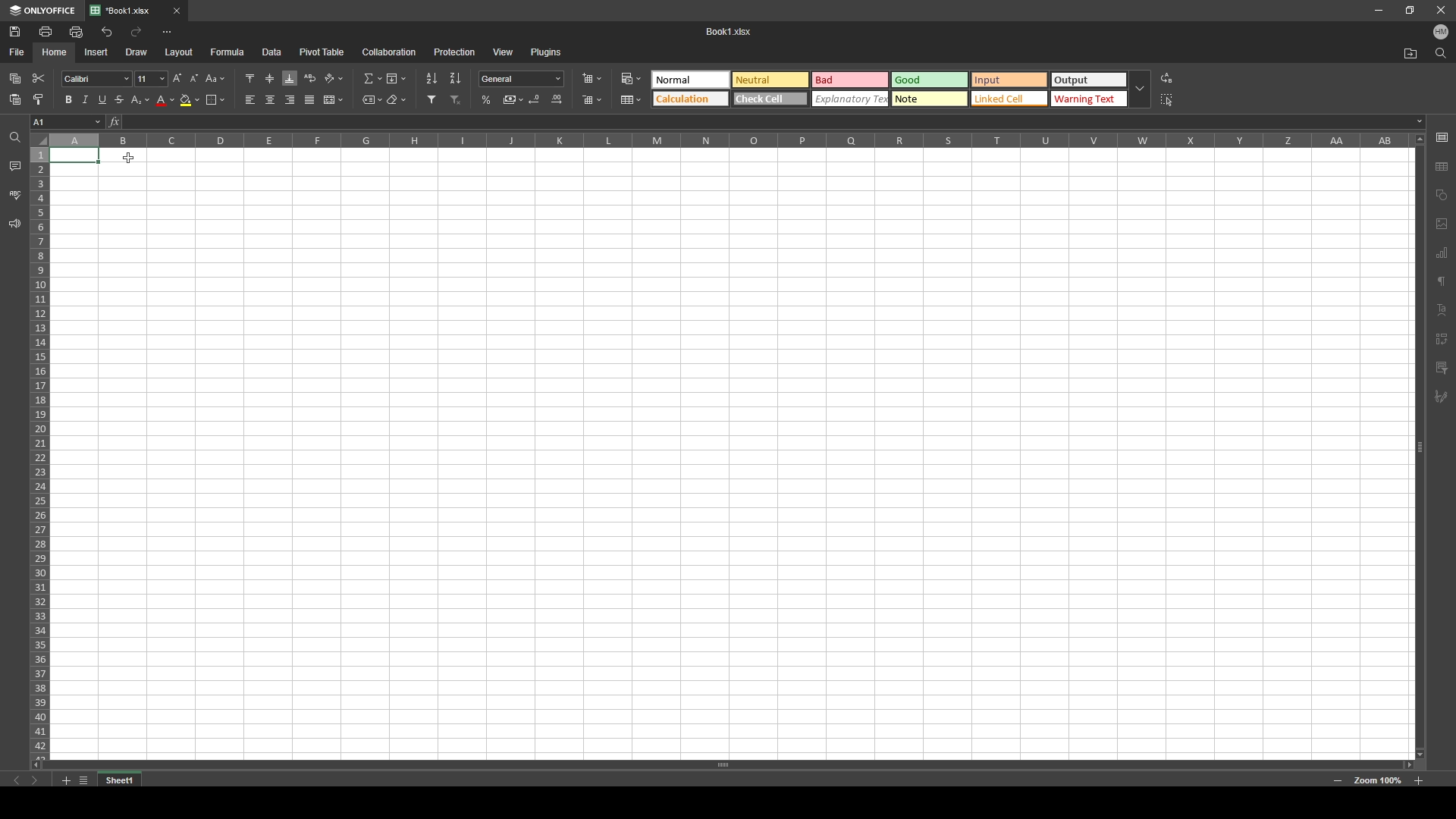 The image size is (1456, 819). I want to click on fill color, so click(190, 100).